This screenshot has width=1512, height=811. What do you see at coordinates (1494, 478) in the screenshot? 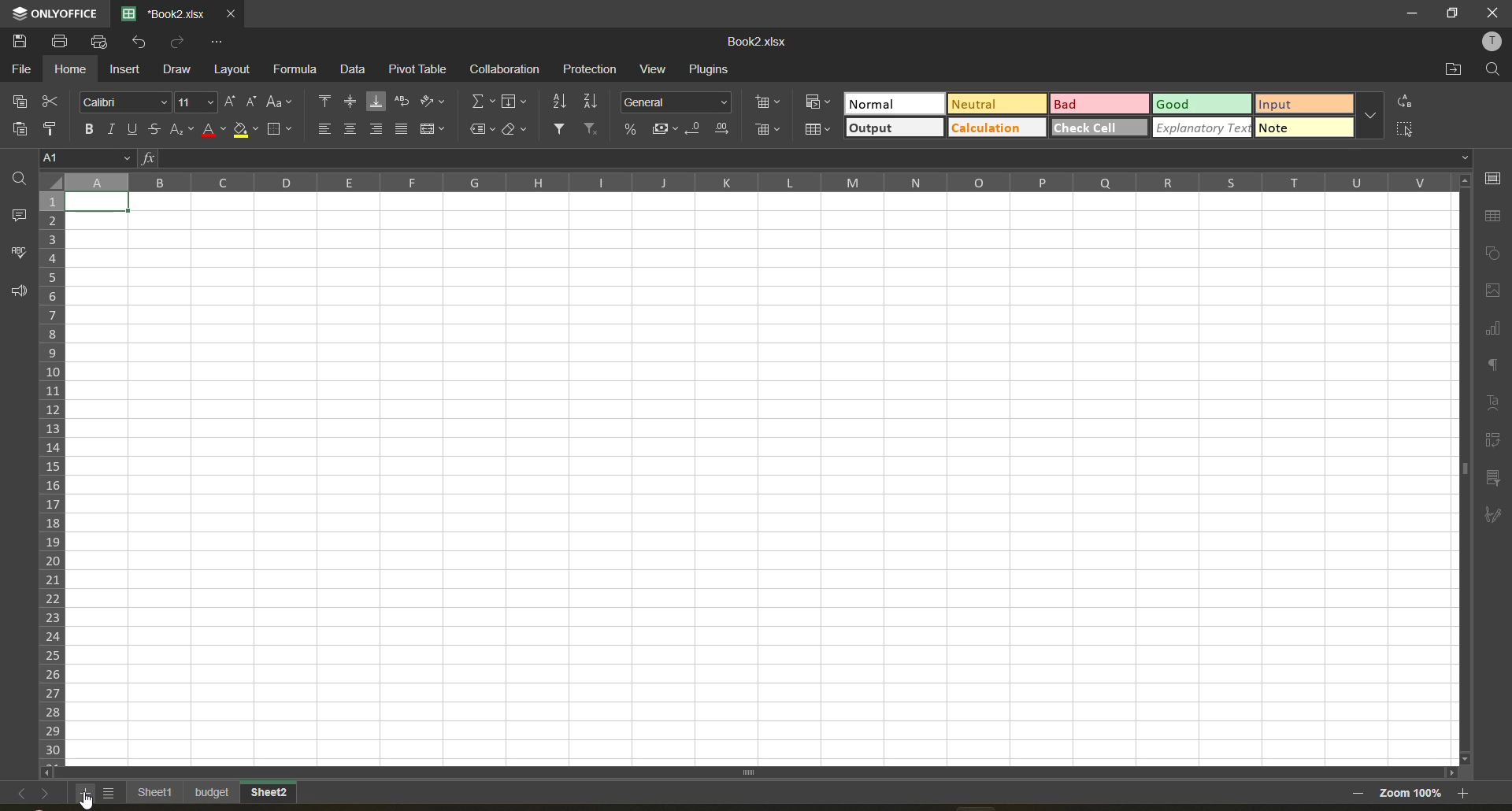
I see `slicer` at bounding box center [1494, 478].